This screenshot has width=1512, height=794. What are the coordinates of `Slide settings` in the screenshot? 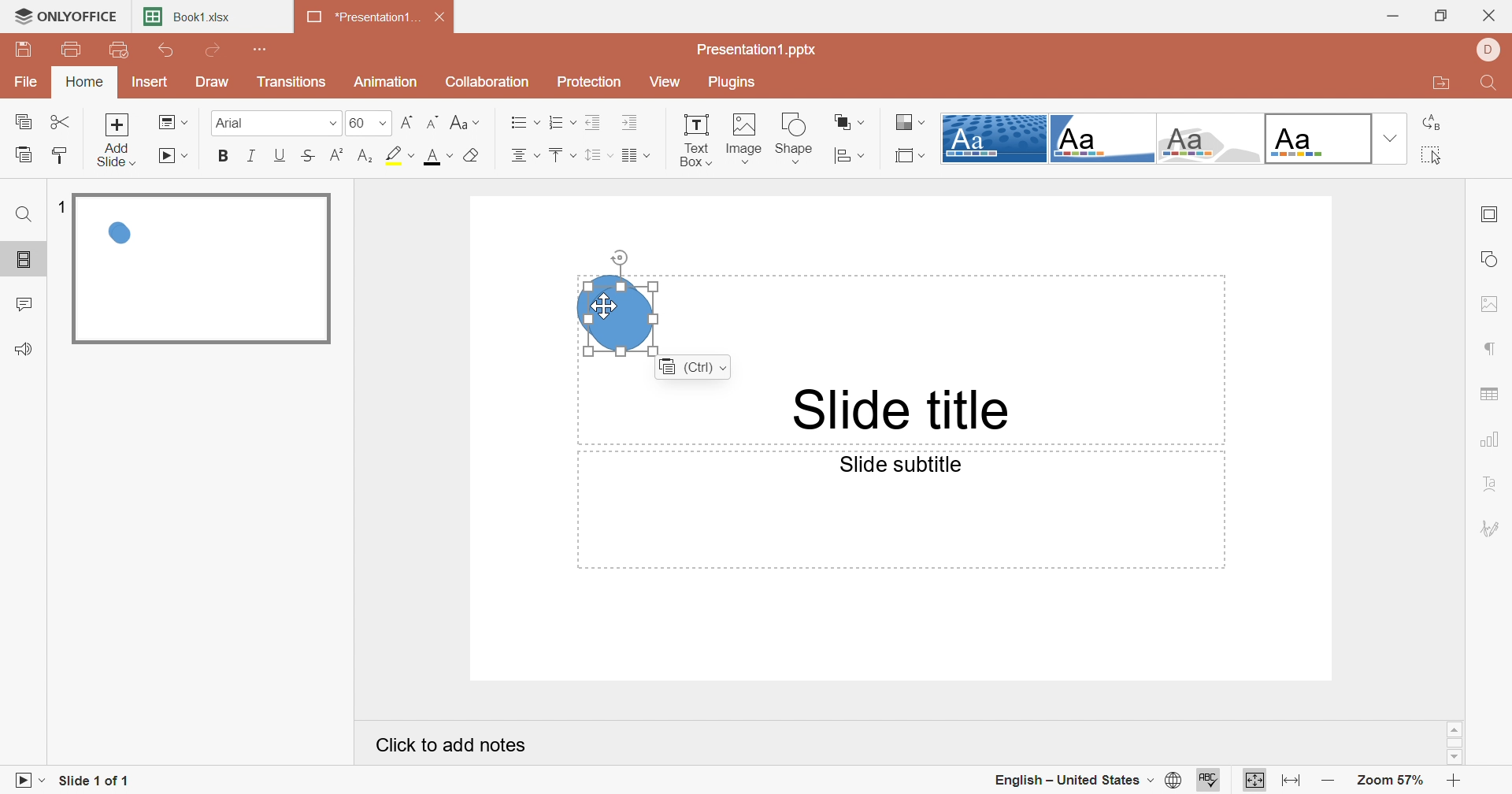 It's located at (1488, 216).